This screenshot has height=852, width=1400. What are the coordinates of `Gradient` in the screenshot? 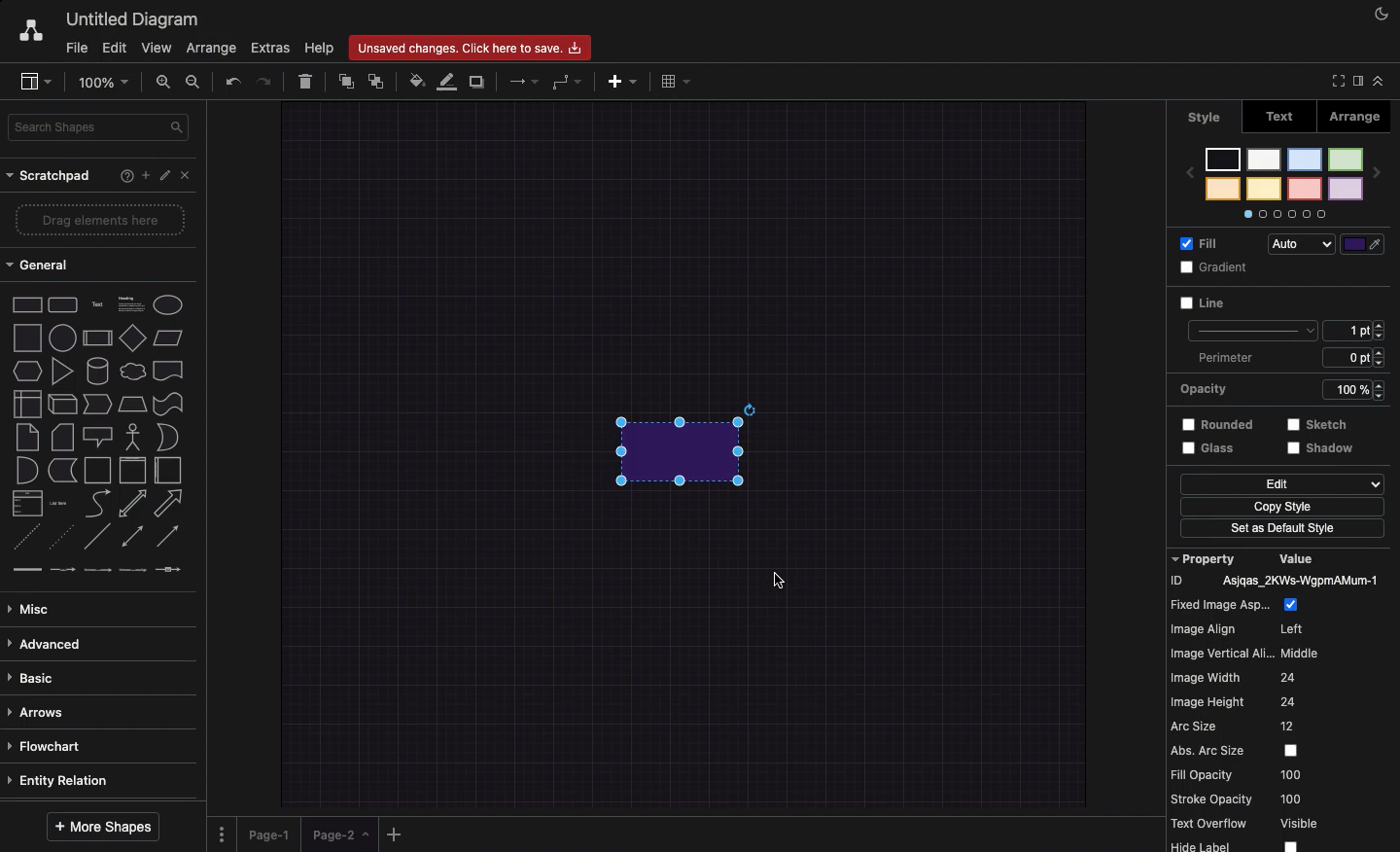 It's located at (1217, 267).